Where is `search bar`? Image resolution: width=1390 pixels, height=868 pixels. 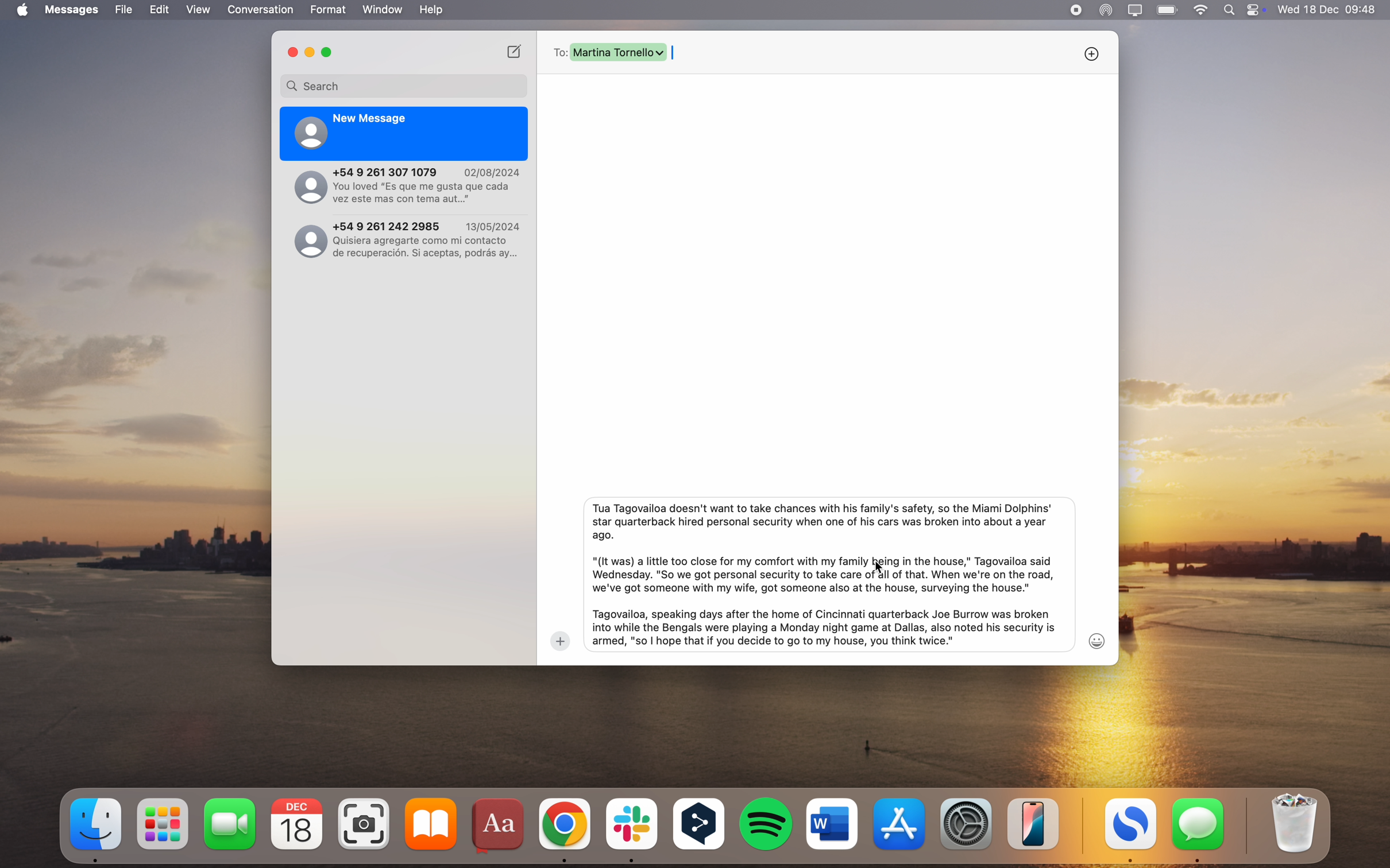 search bar is located at coordinates (404, 86).